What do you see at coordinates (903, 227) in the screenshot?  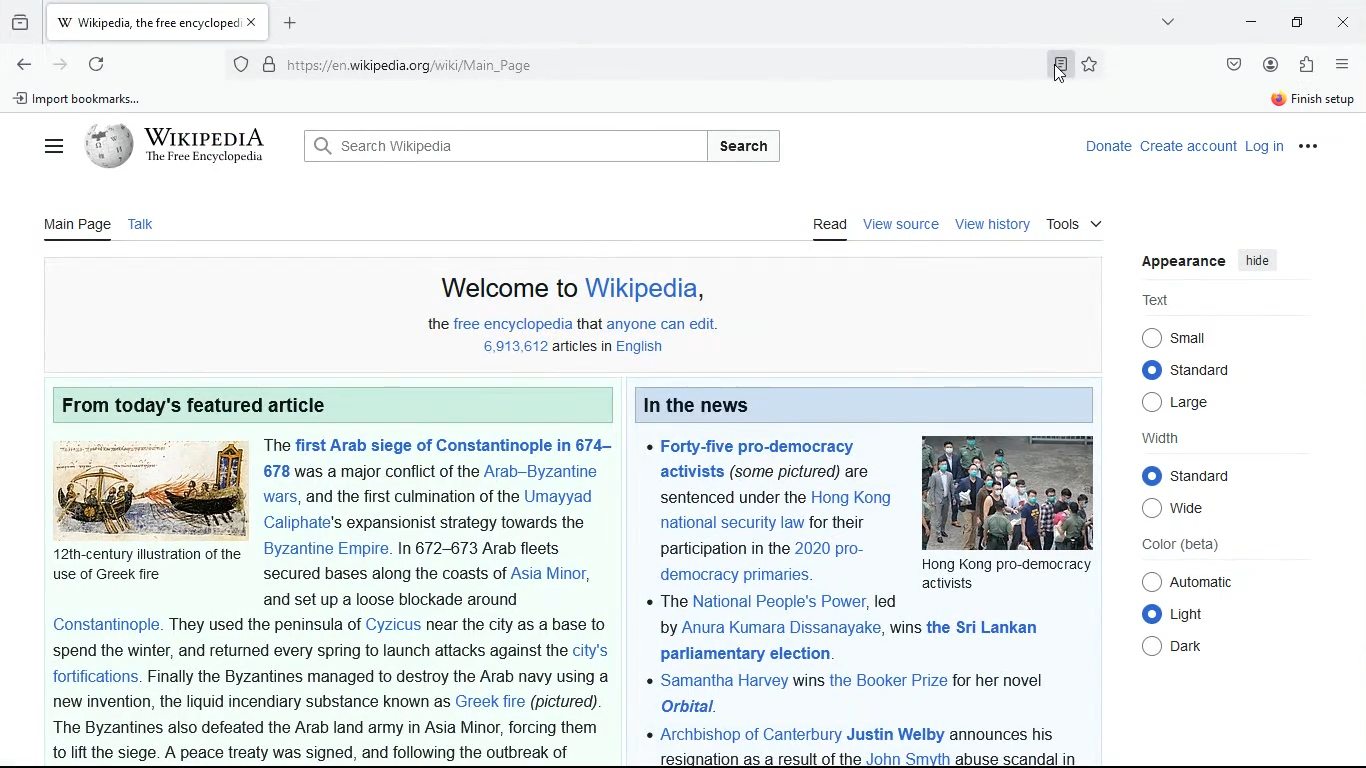 I see `view source` at bounding box center [903, 227].